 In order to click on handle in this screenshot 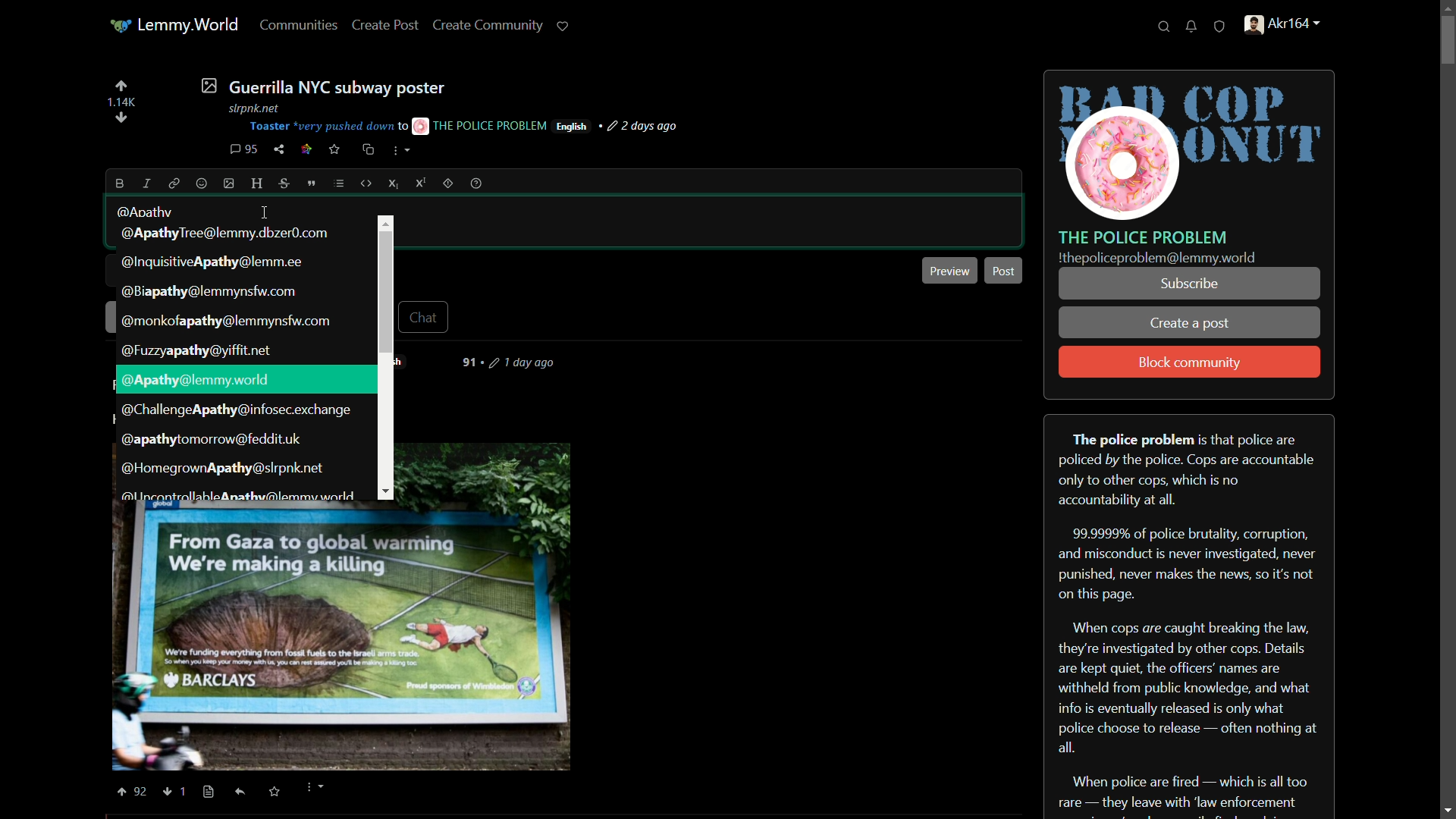, I will do `click(1291, 27)`.